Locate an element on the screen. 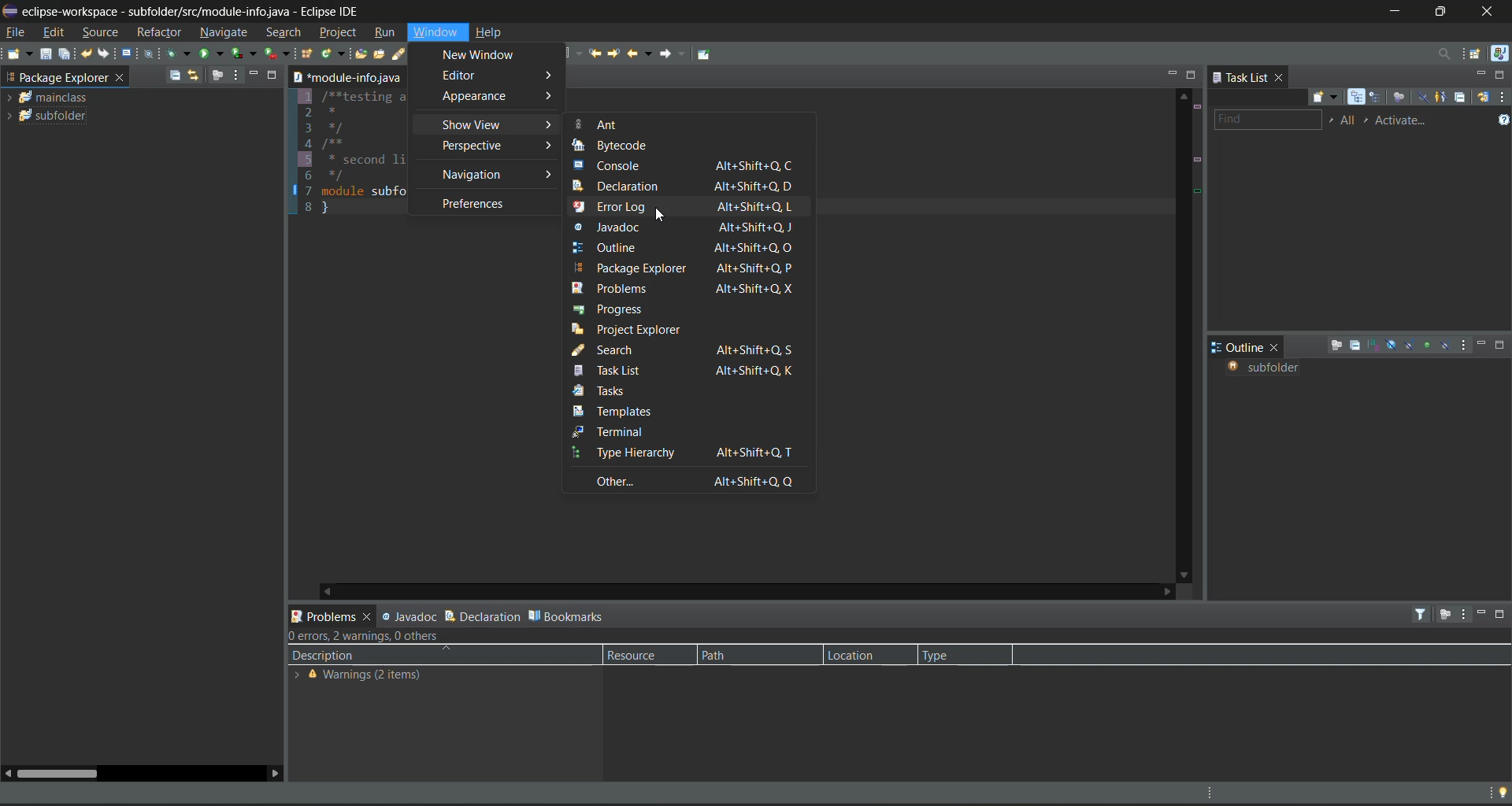 Image resolution: width=1512 pixels, height=806 pixels. problems is located at coordinates (682, 287).